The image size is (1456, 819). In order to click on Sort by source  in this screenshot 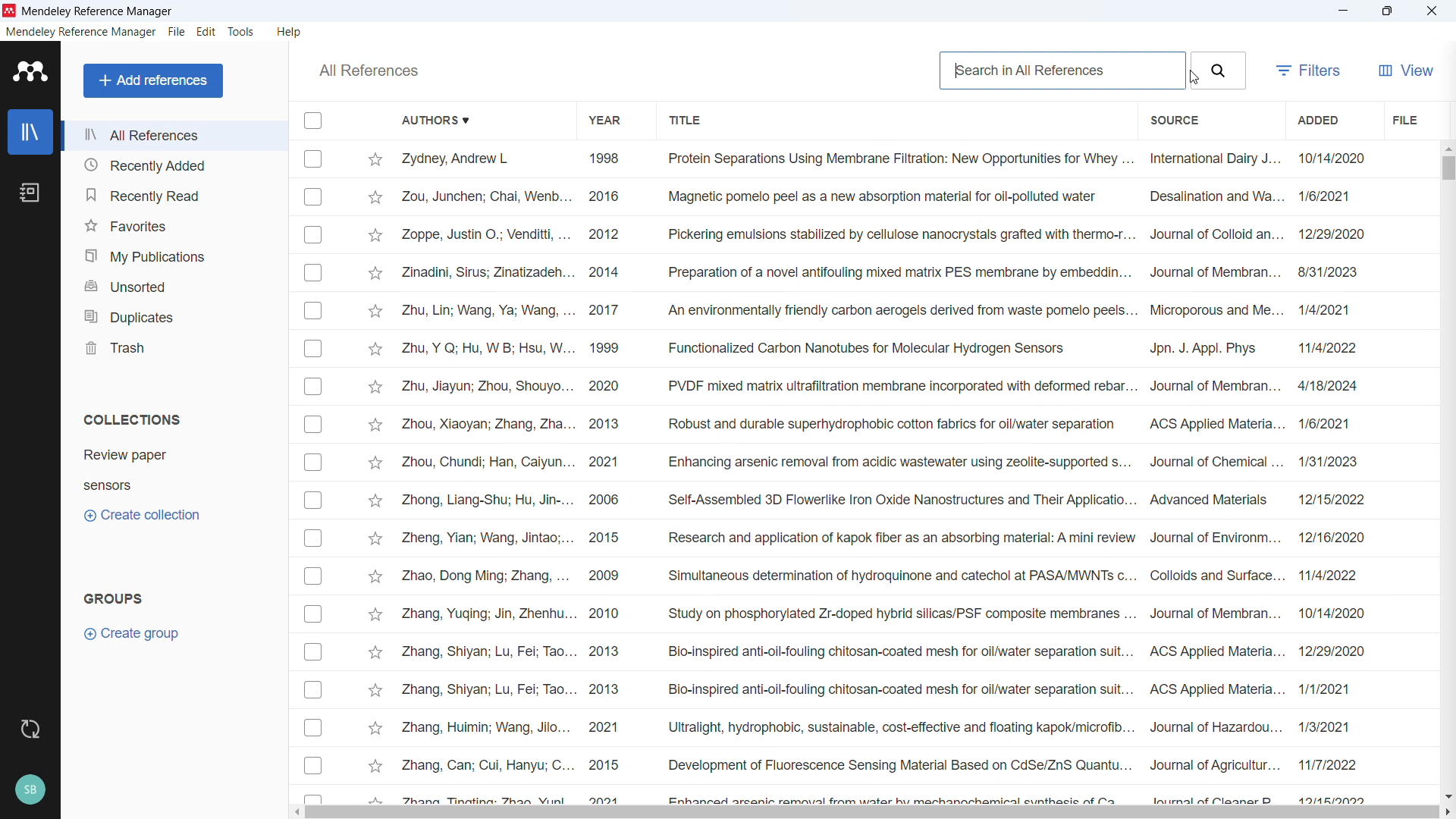, I will do `click(1174, 121)`.